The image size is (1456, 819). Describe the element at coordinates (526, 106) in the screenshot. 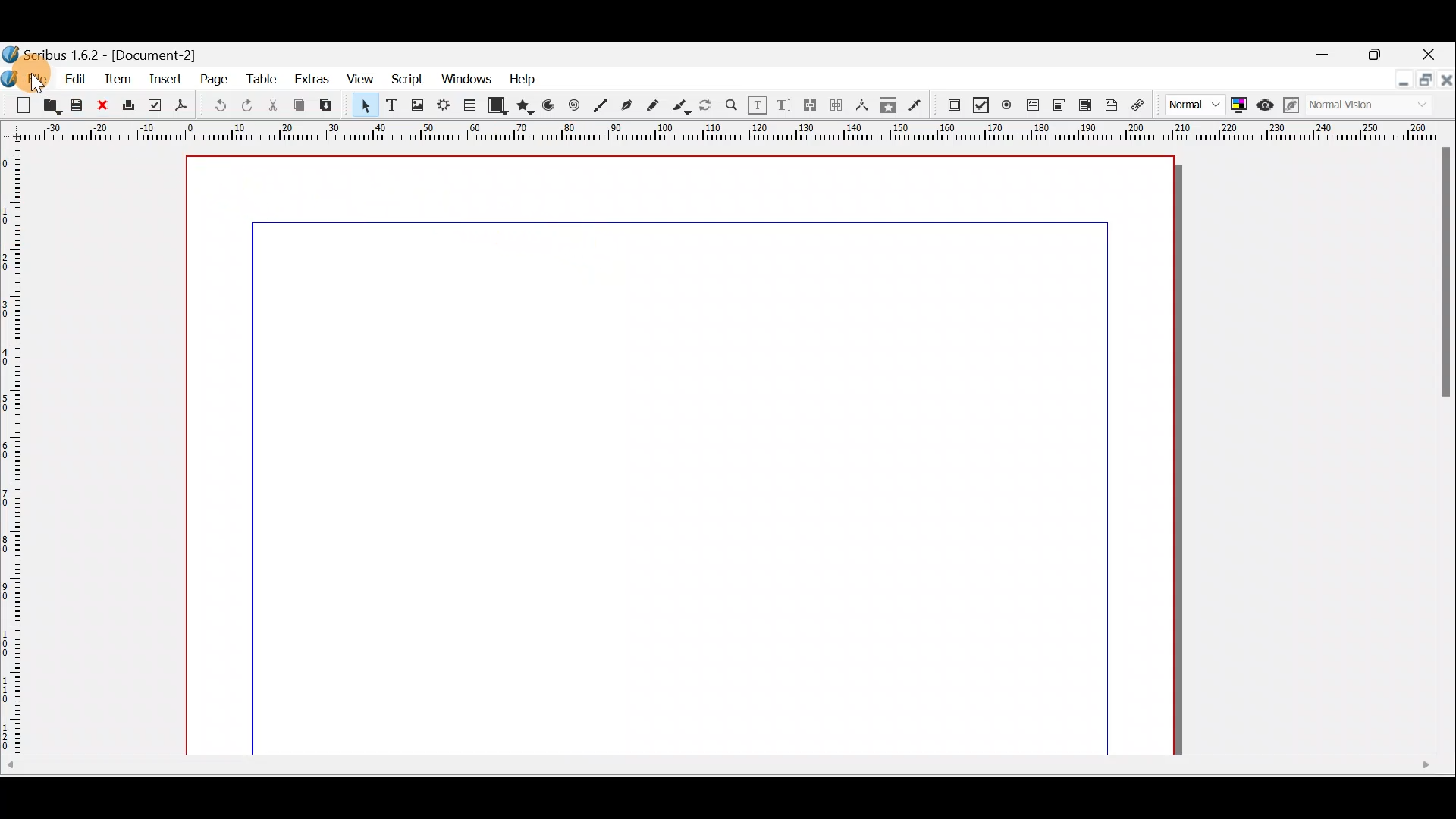

I see `Polygon` at that location.